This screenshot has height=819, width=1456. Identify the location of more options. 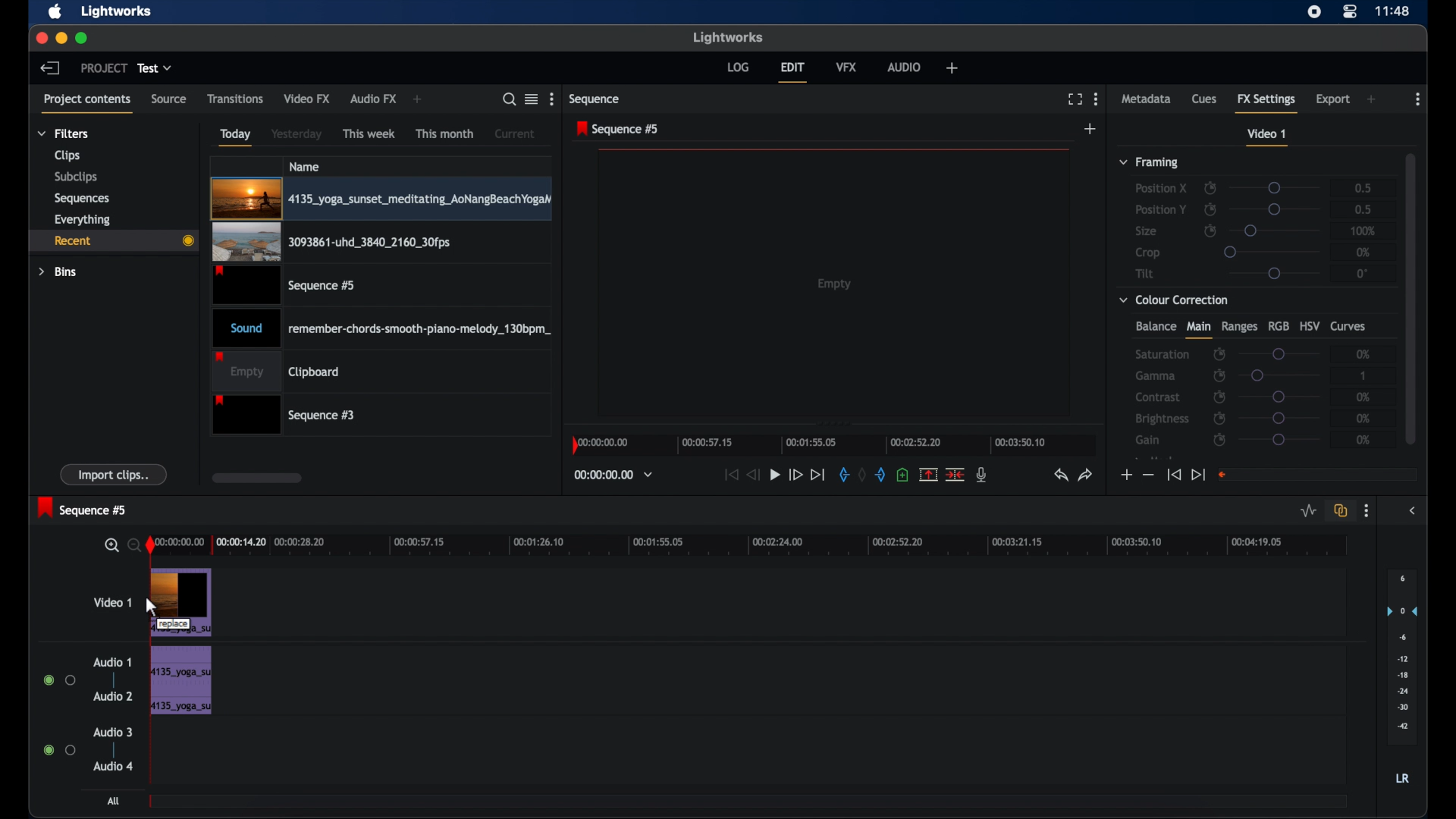
(551, 99).